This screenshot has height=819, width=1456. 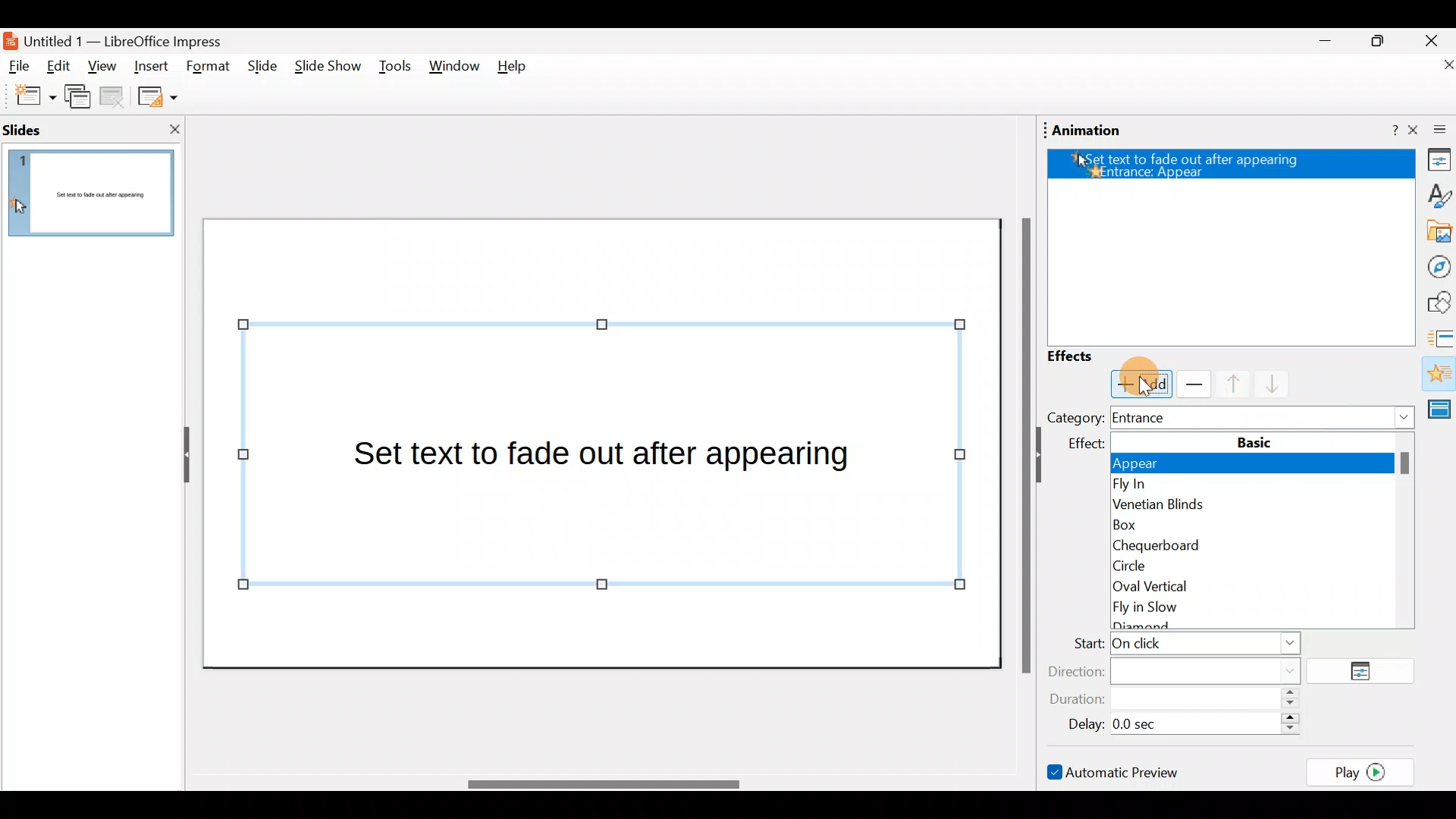 What do you see at coordinates (156, 96) in the screenshot?
I see `Slide layout` at bounding box center [156, 96].